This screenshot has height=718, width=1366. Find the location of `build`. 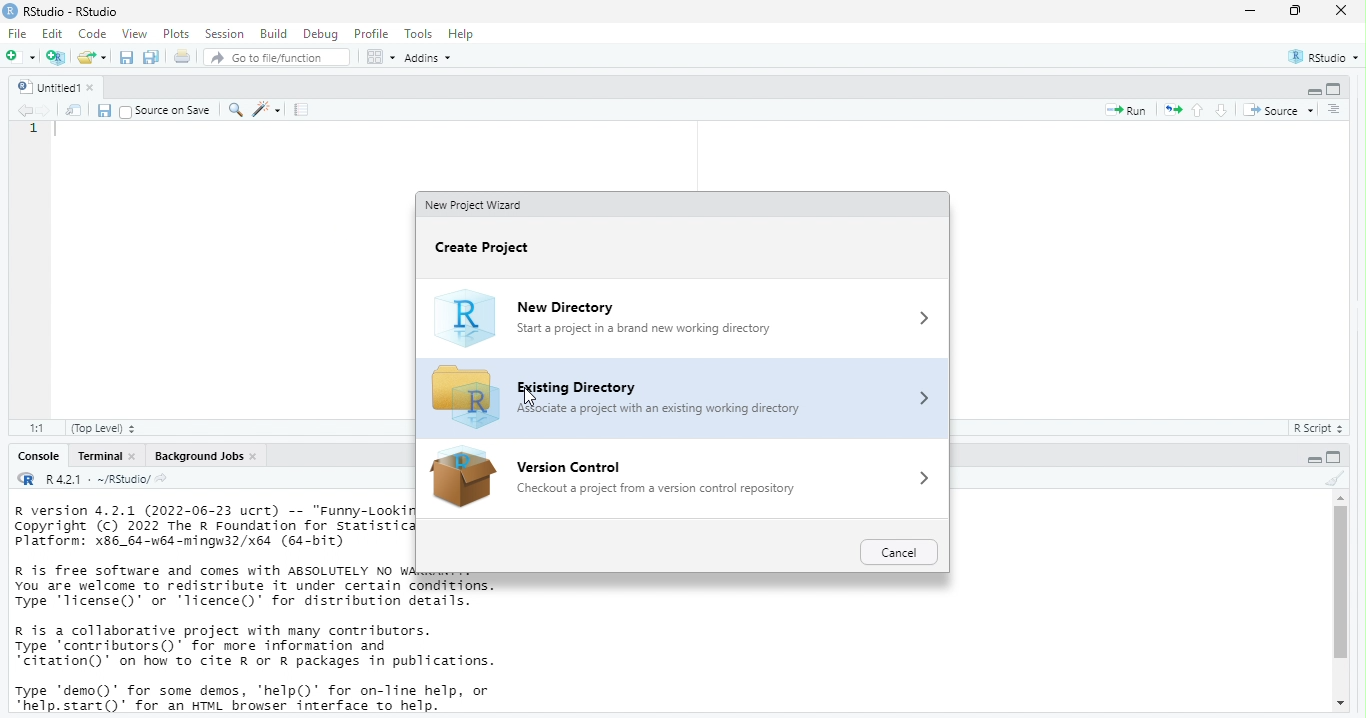

build is located at coordinates (273, 34).